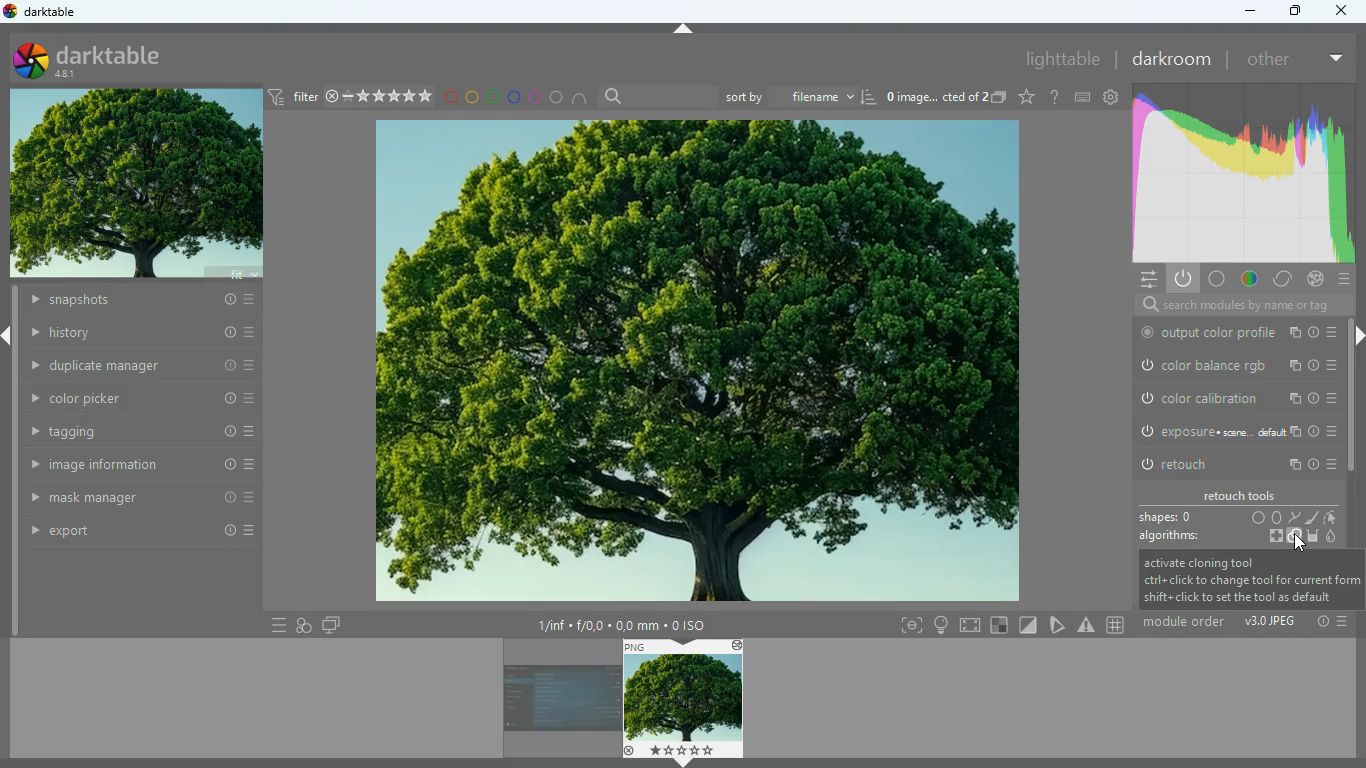 This screenshot has height=768, width=1366. I want to click on red, so click(449, 98).